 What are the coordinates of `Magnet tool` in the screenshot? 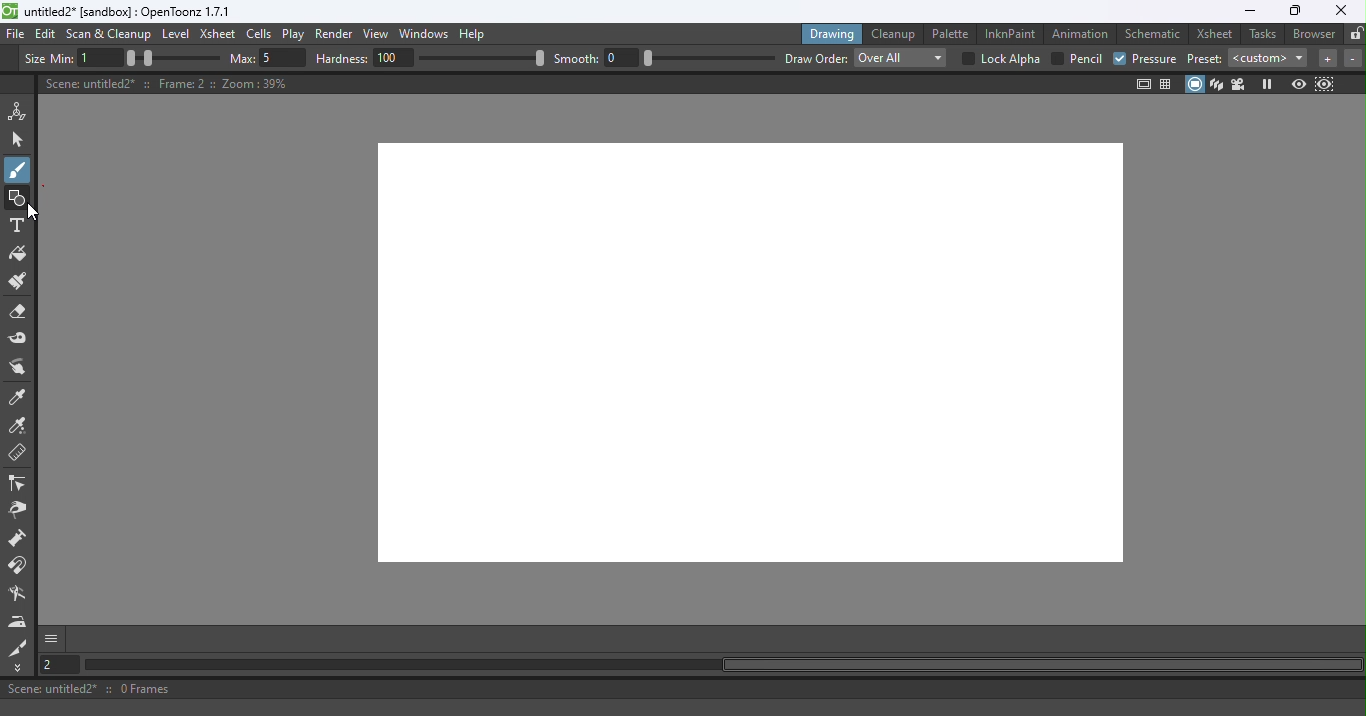 It's located at (19, 540).